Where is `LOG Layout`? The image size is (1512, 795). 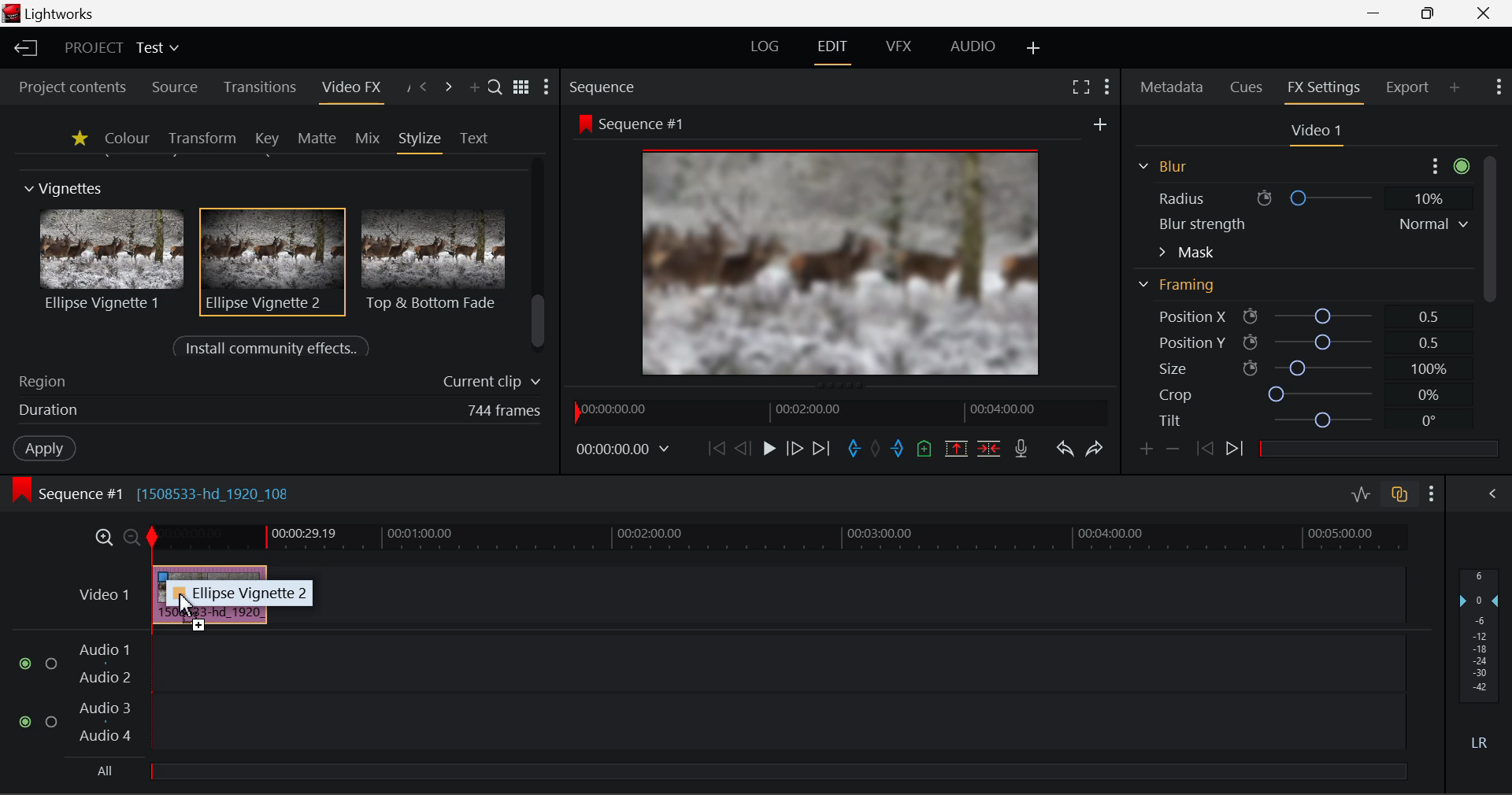
LOG Layout is located at coordinates (770, 48).